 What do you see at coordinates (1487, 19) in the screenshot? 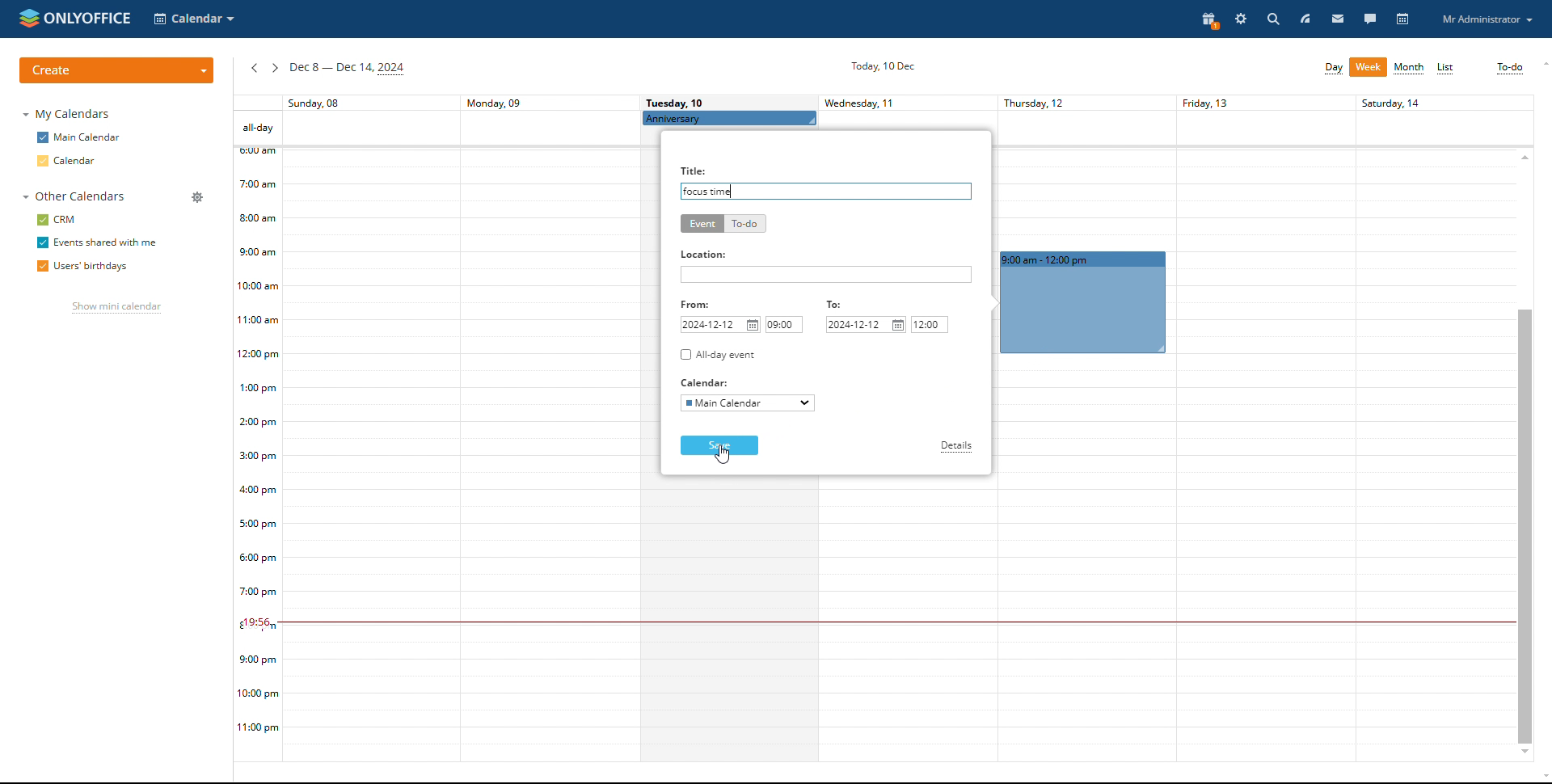
I see `profile` at bounding box center [1487, 19].